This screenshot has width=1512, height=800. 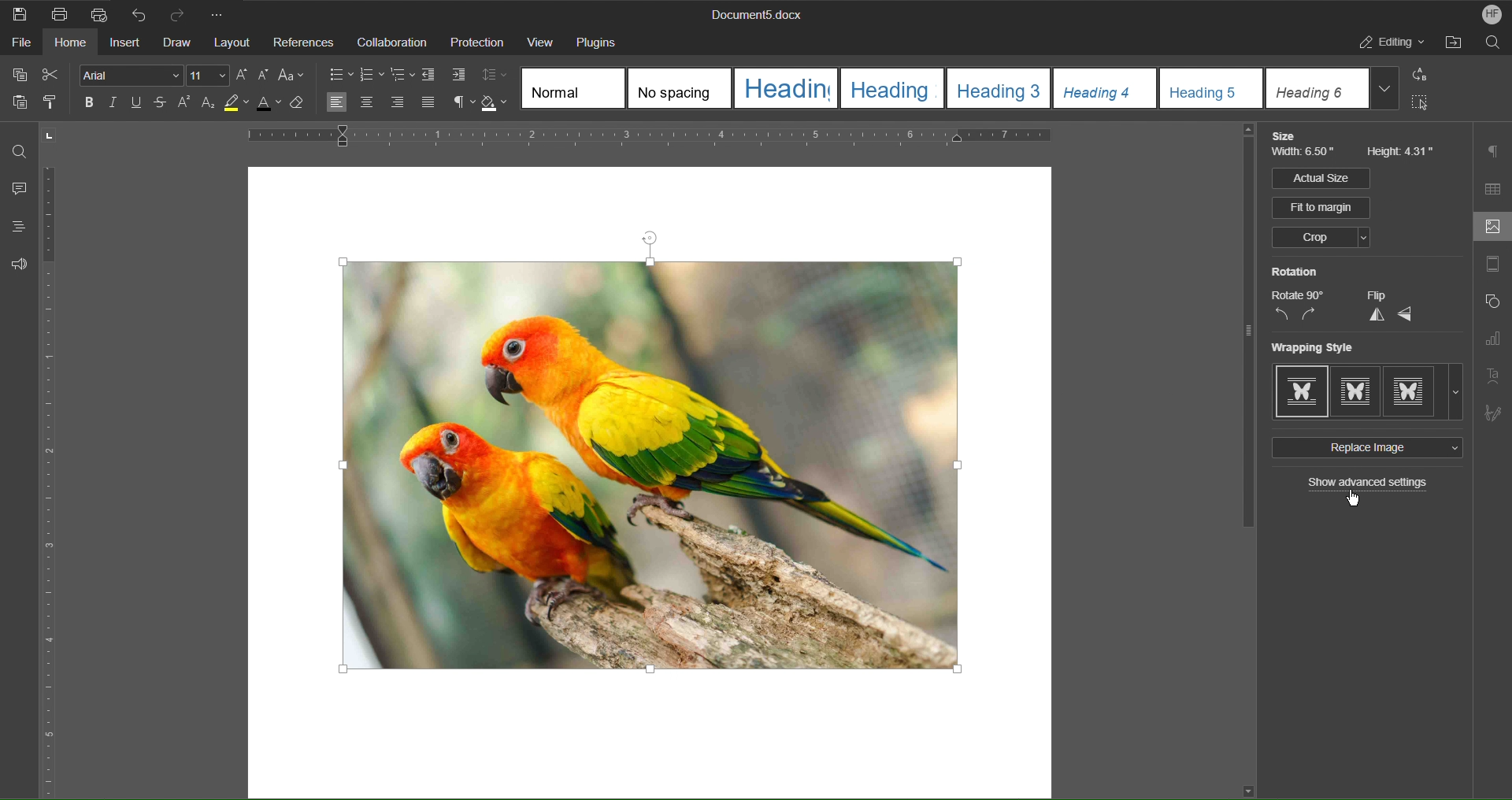 What do you see at coordinates (1374, 315) in the screenshot?
I see `Vertical Flip` at bounding box center [1374, 315].